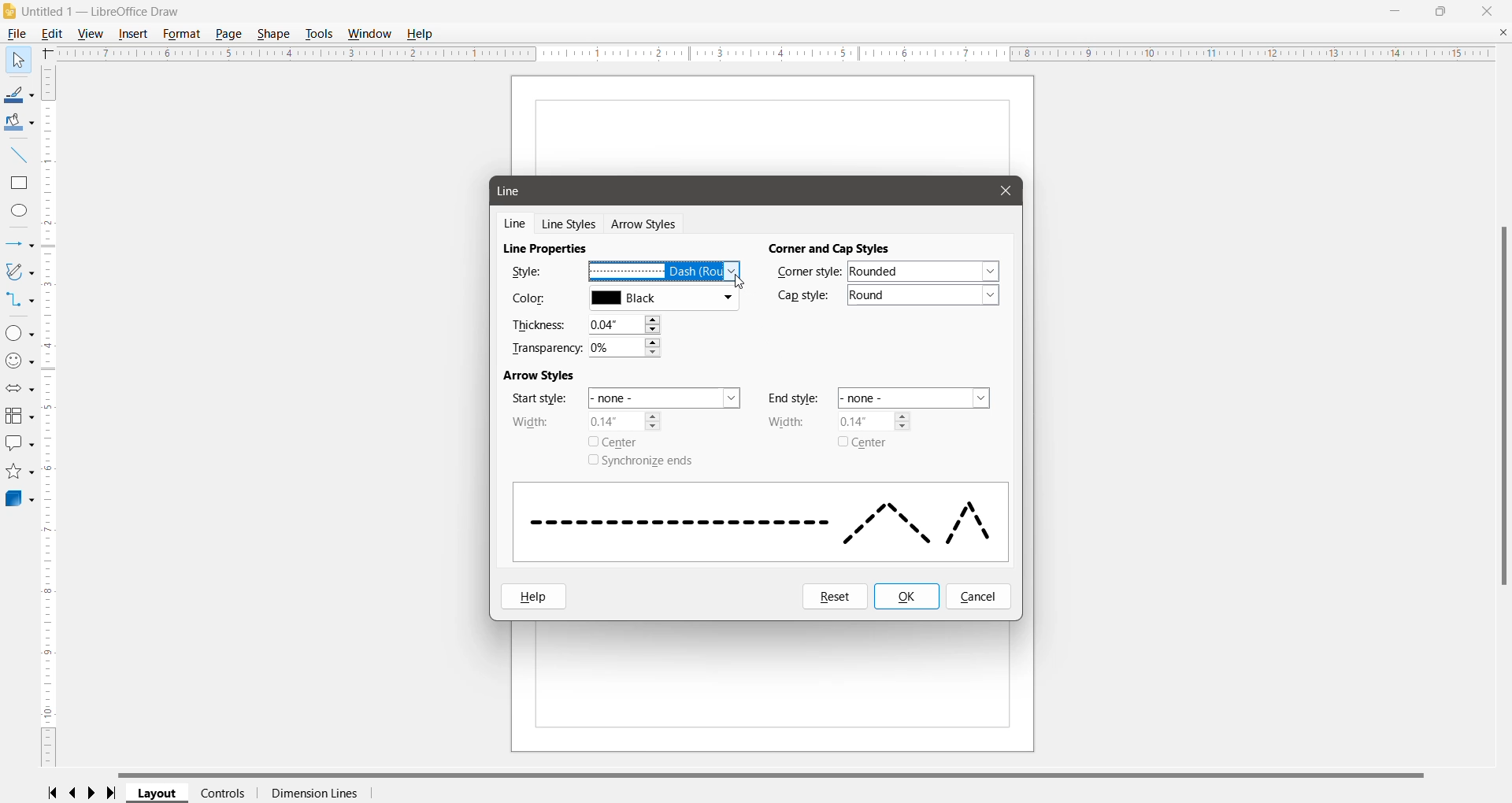  Describe the element at coordinates (869, 443) in the screenshot. I see `Center` at that location.